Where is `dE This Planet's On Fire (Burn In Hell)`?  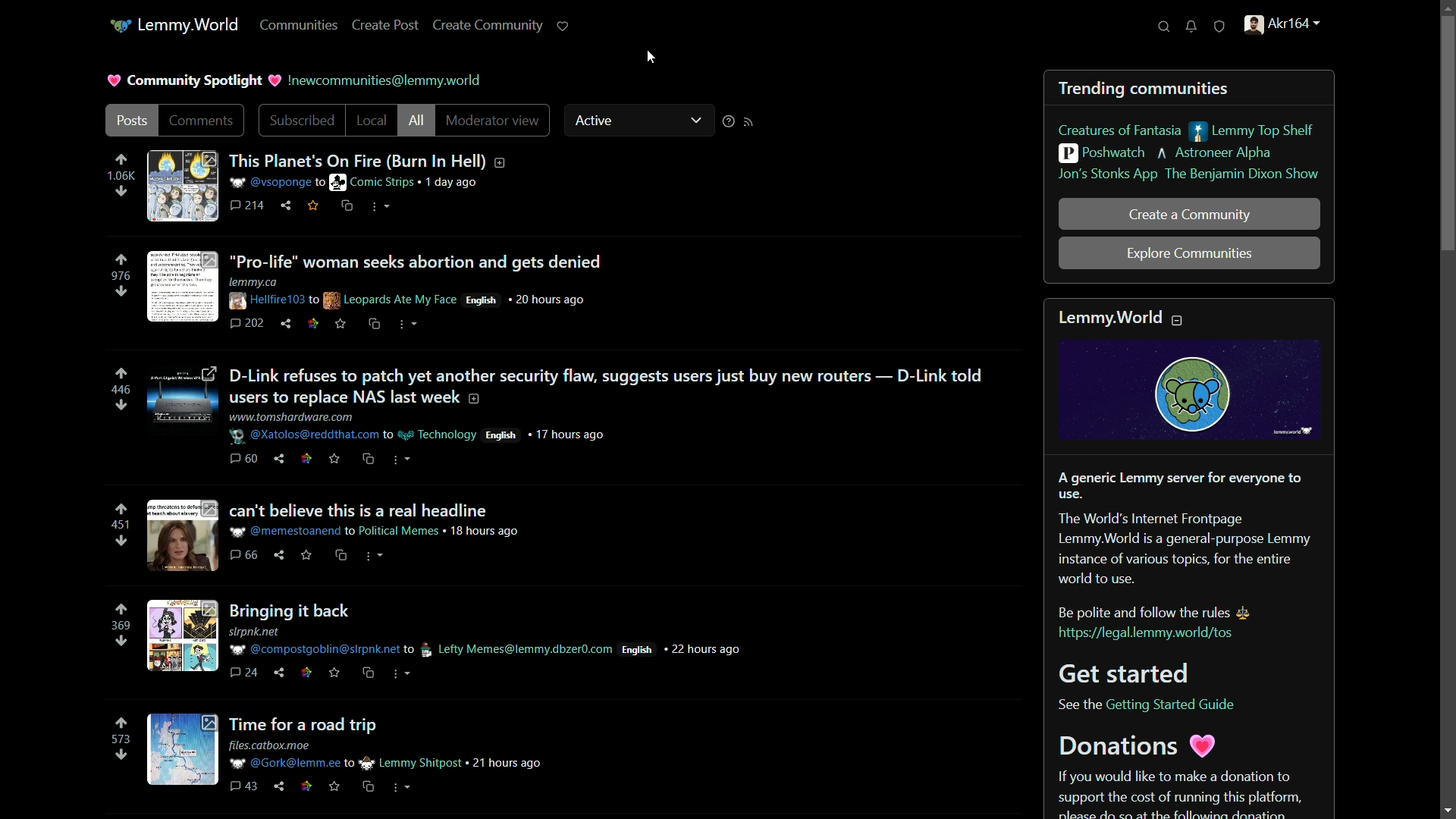
dE This Planet's On Fire (Burn In Hell) is located at coordinates (379, 158).